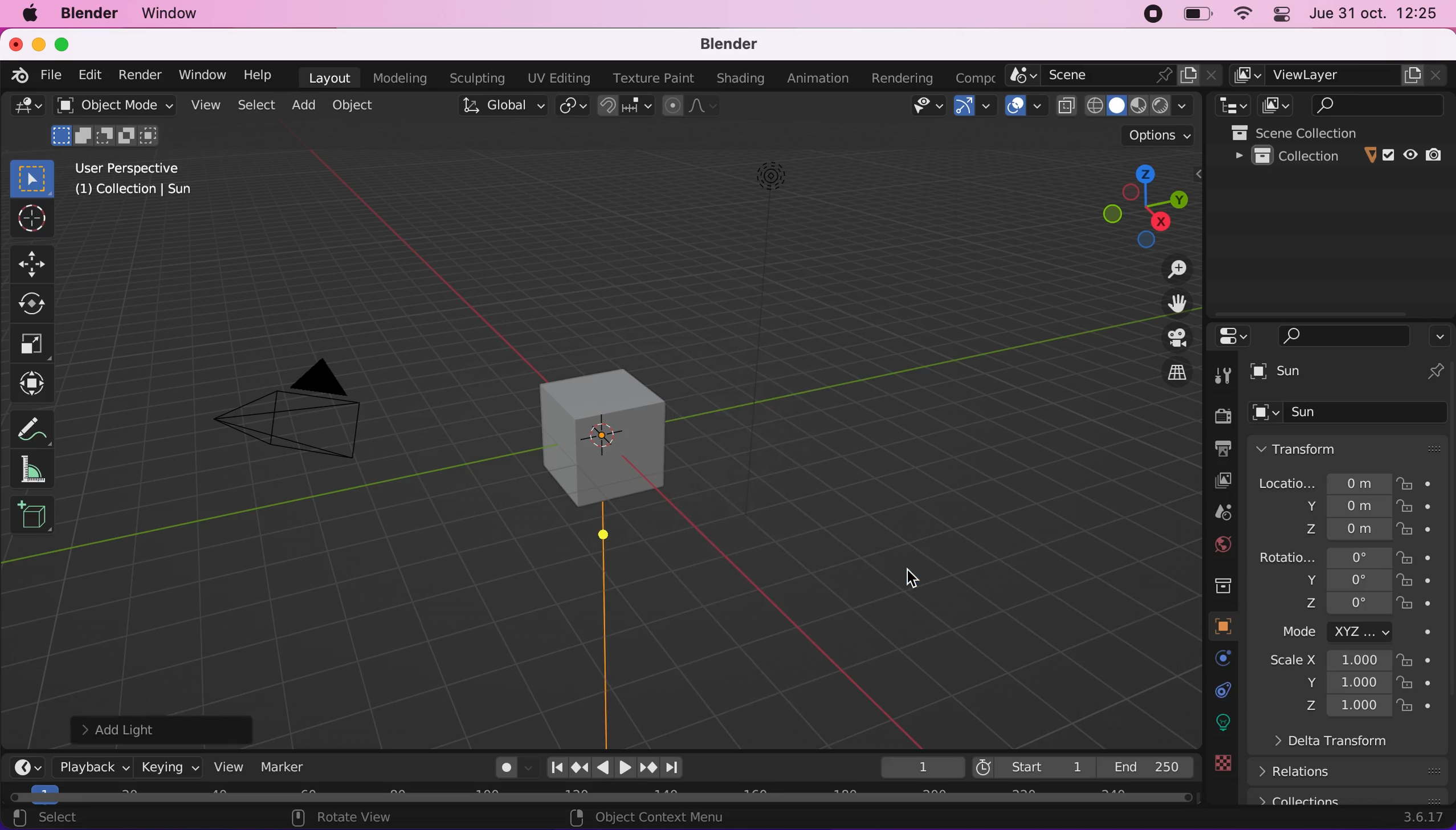  I want to click on search, so click(1344, 335).